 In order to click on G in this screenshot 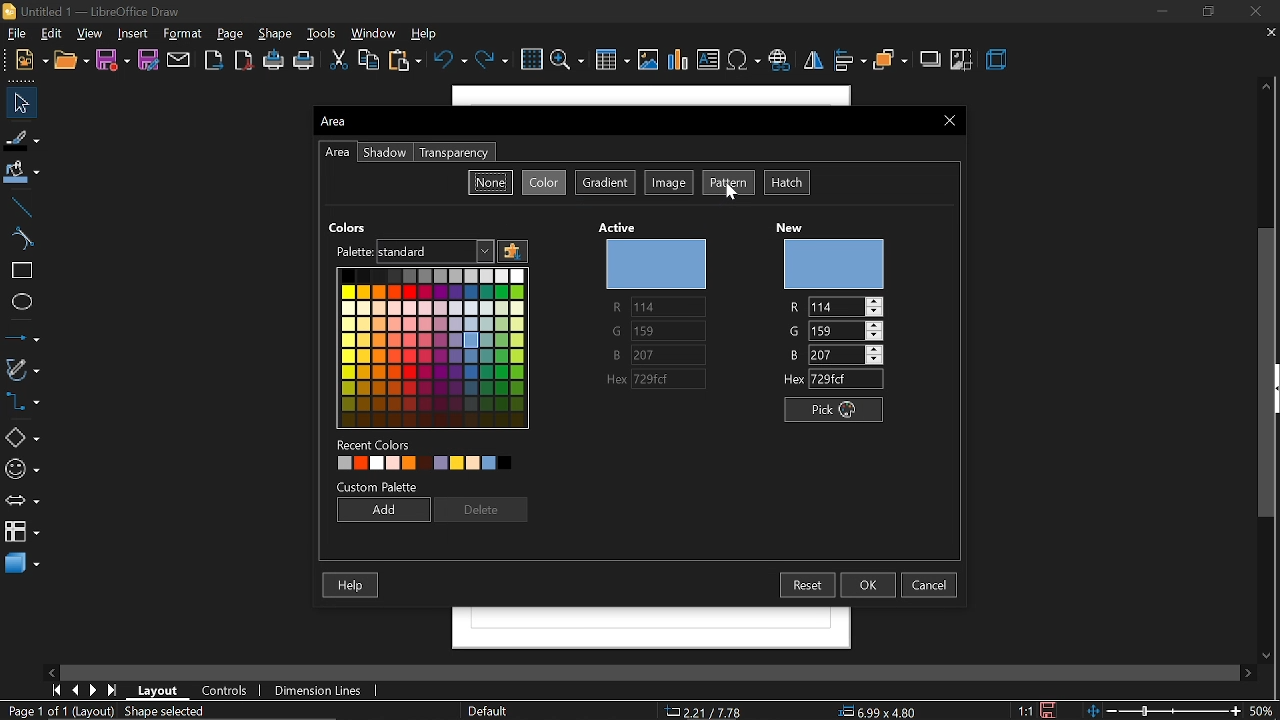, I will do `click(612, 333)`.